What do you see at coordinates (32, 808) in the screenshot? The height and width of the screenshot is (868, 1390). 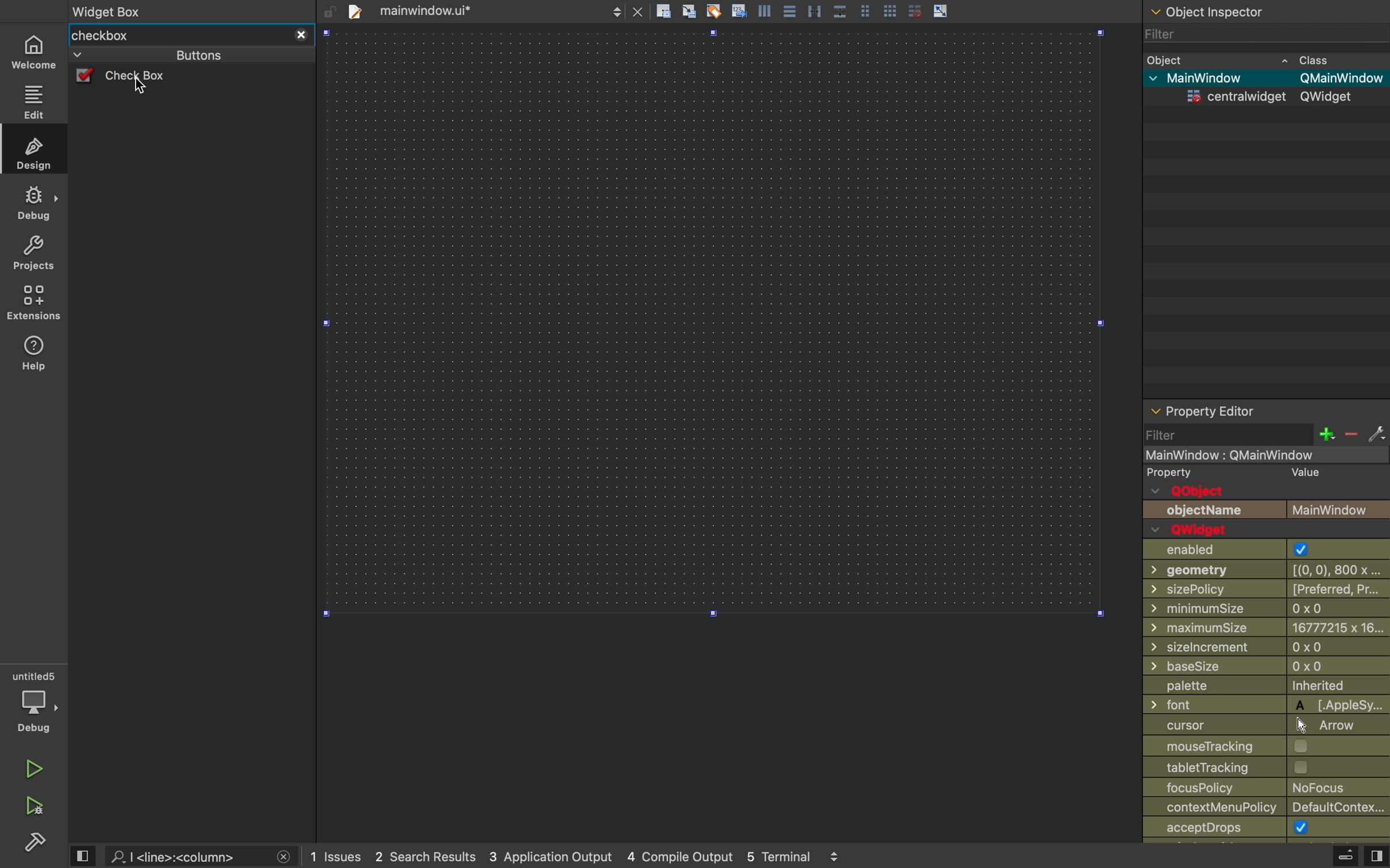 I see `run and debug` at bounding box center [32, 808].